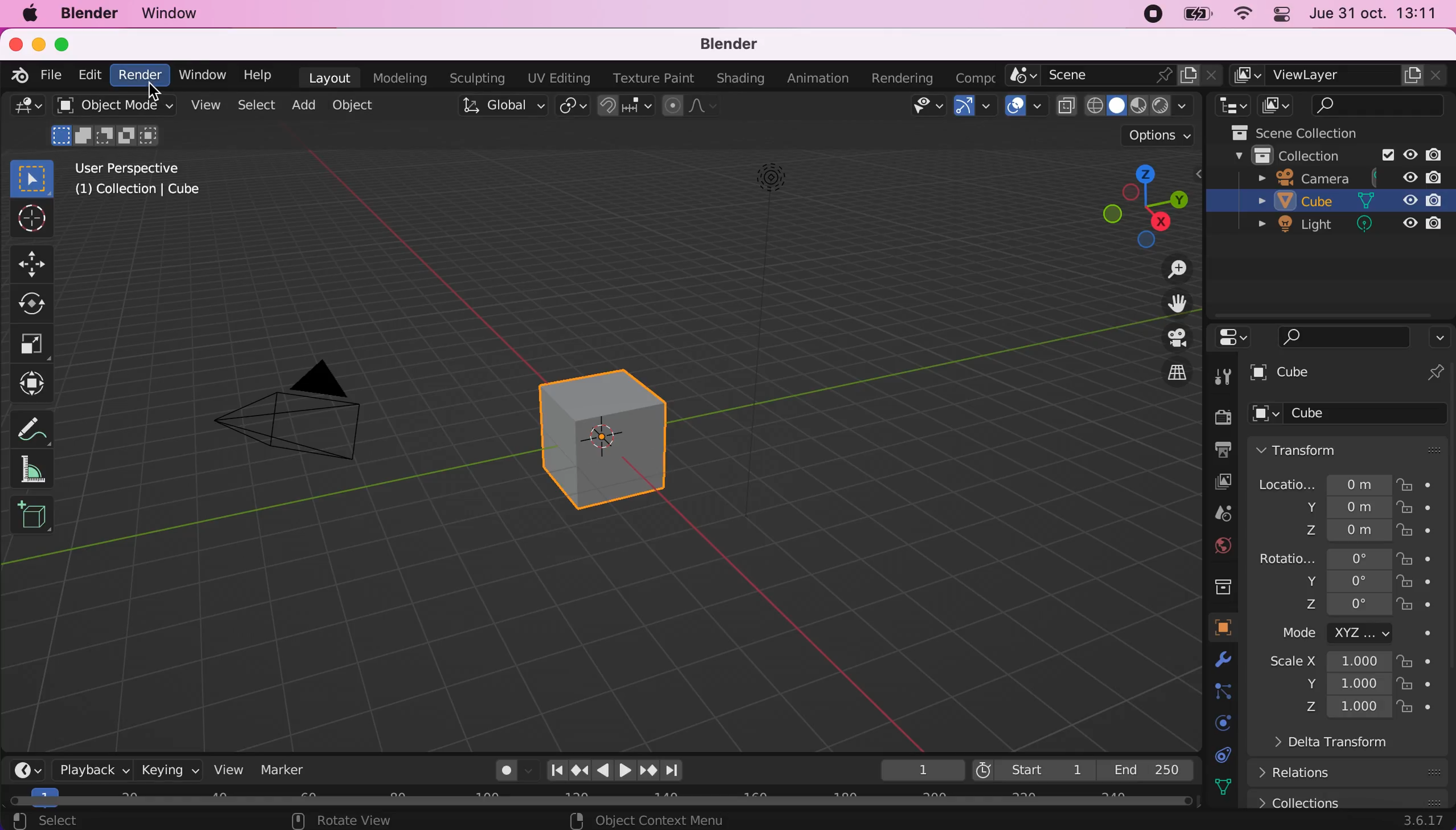 This screenshot has height=830, width=1456. I want to click on scene, so click(1113, 74).